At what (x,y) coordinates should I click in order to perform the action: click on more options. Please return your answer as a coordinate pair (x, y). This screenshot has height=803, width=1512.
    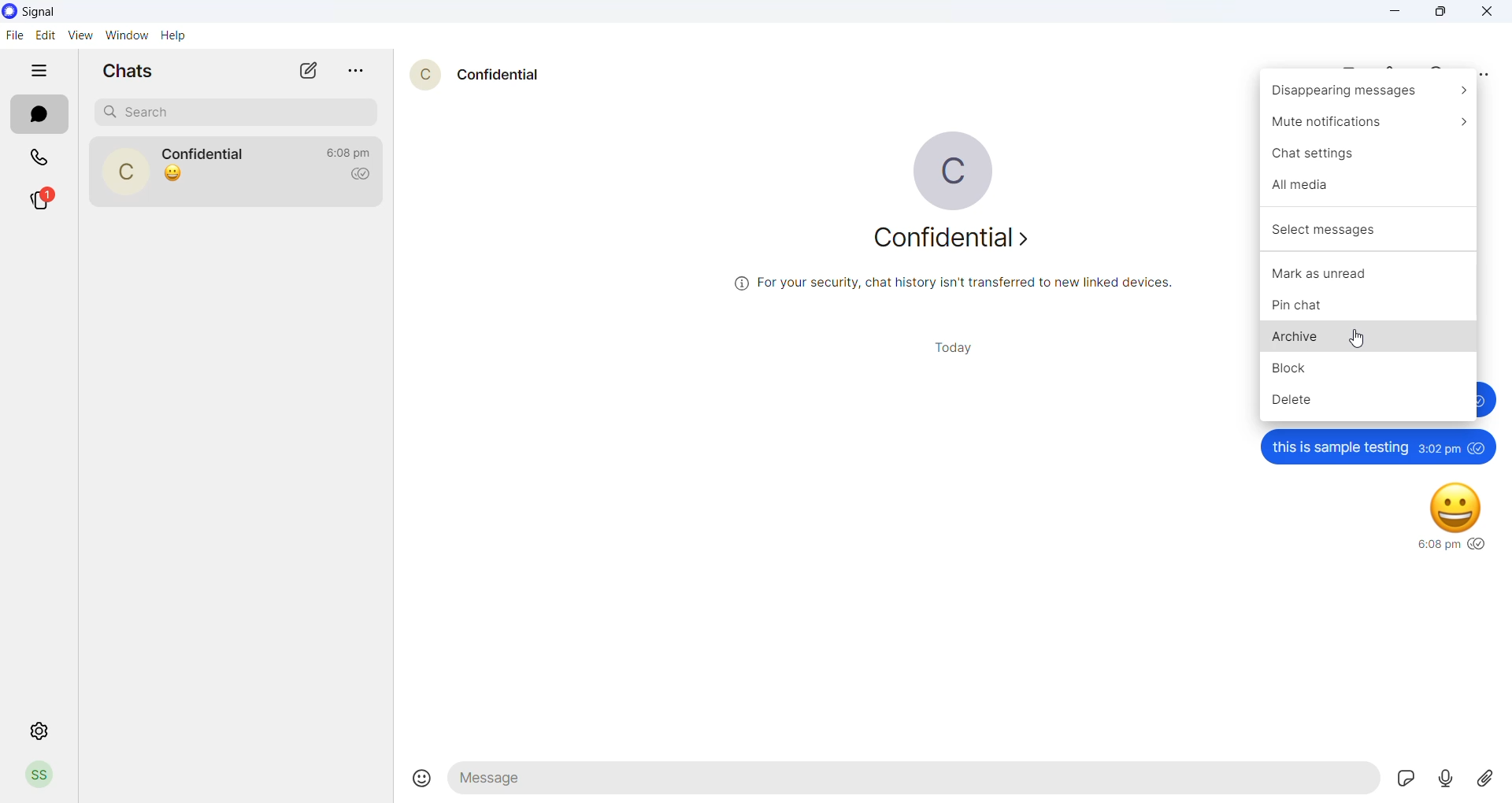
    Looking at the image, I should click on (356, 72).